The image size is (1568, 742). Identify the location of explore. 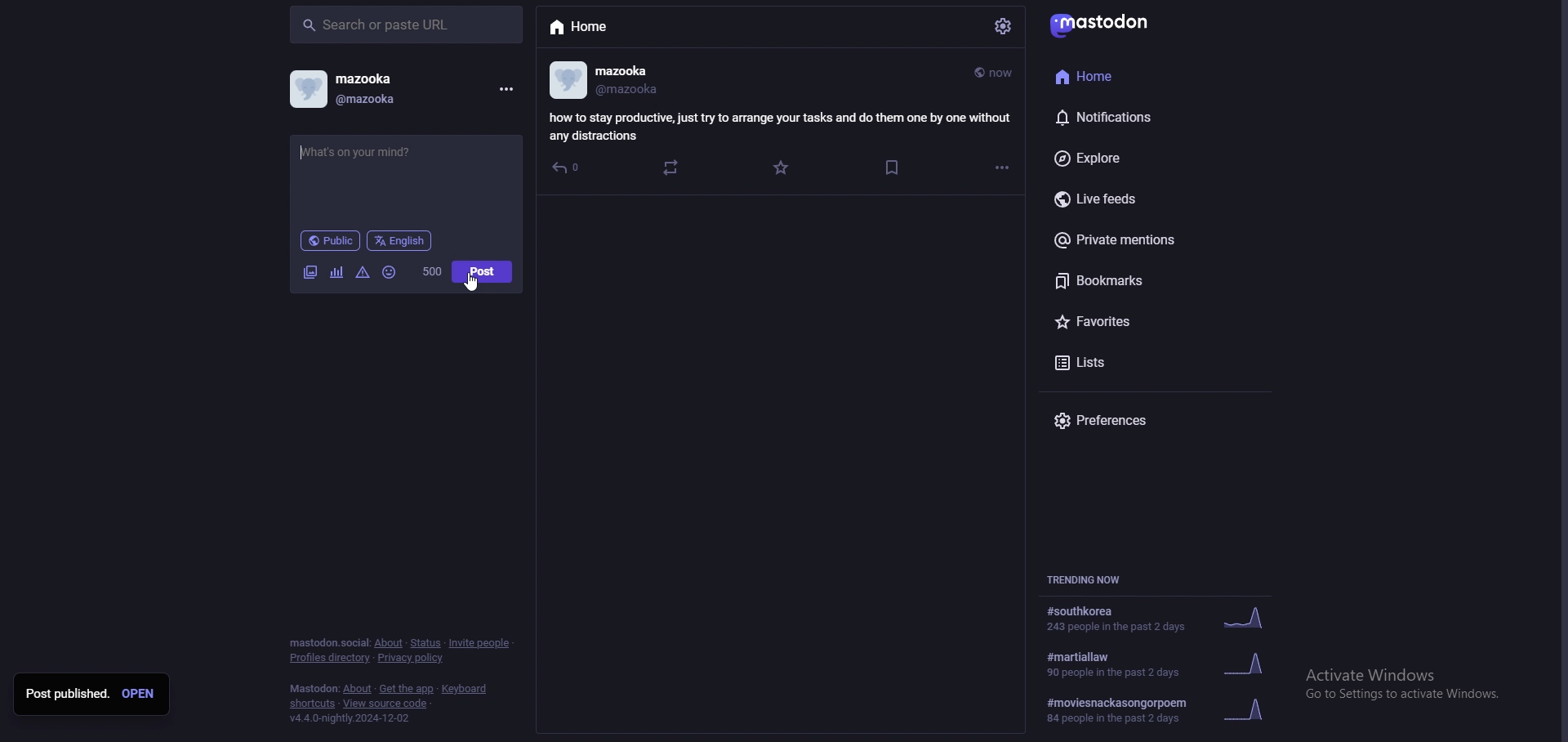
(1134, 157).